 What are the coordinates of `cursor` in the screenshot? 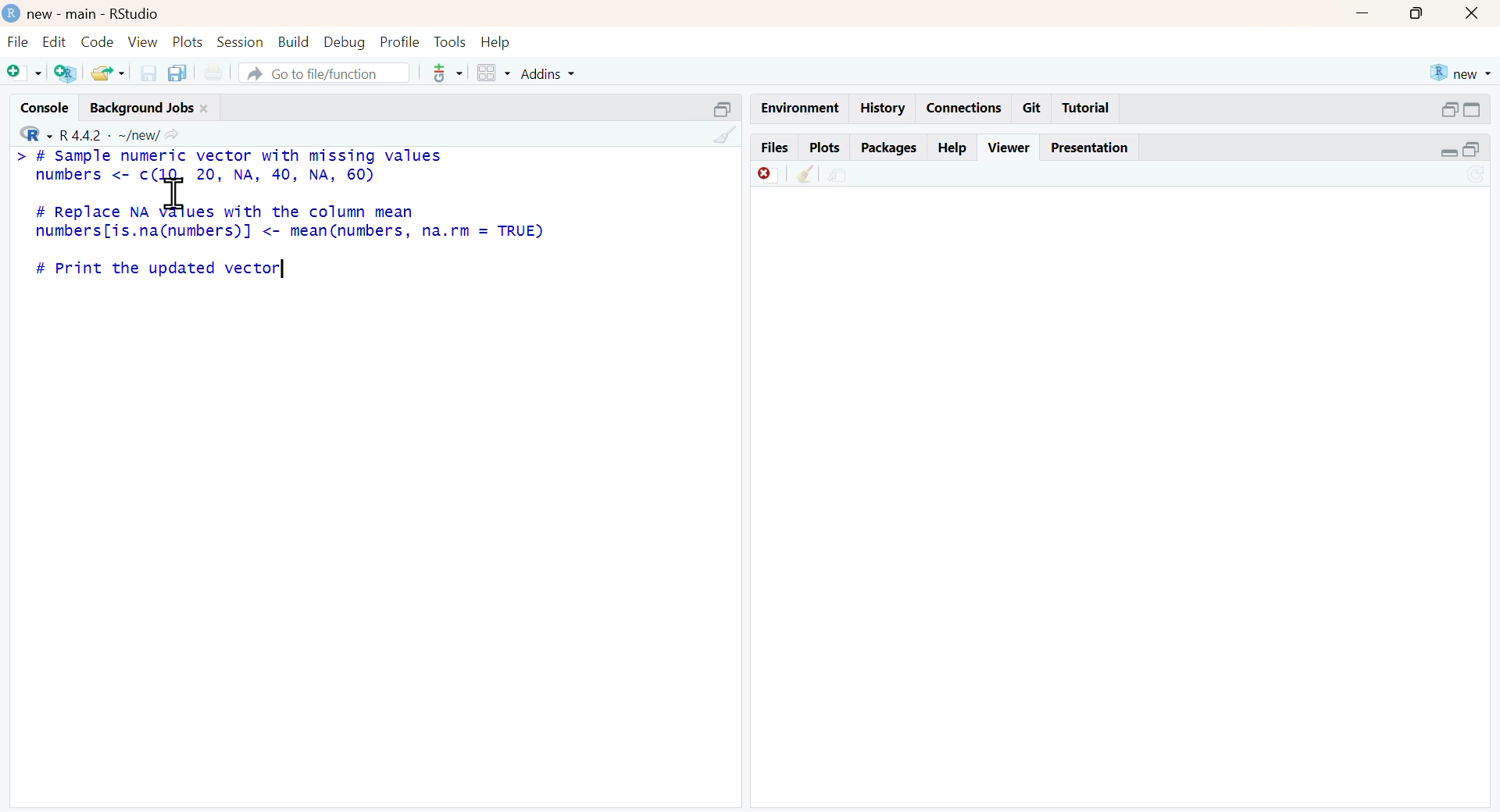 It's located at (175, 192).